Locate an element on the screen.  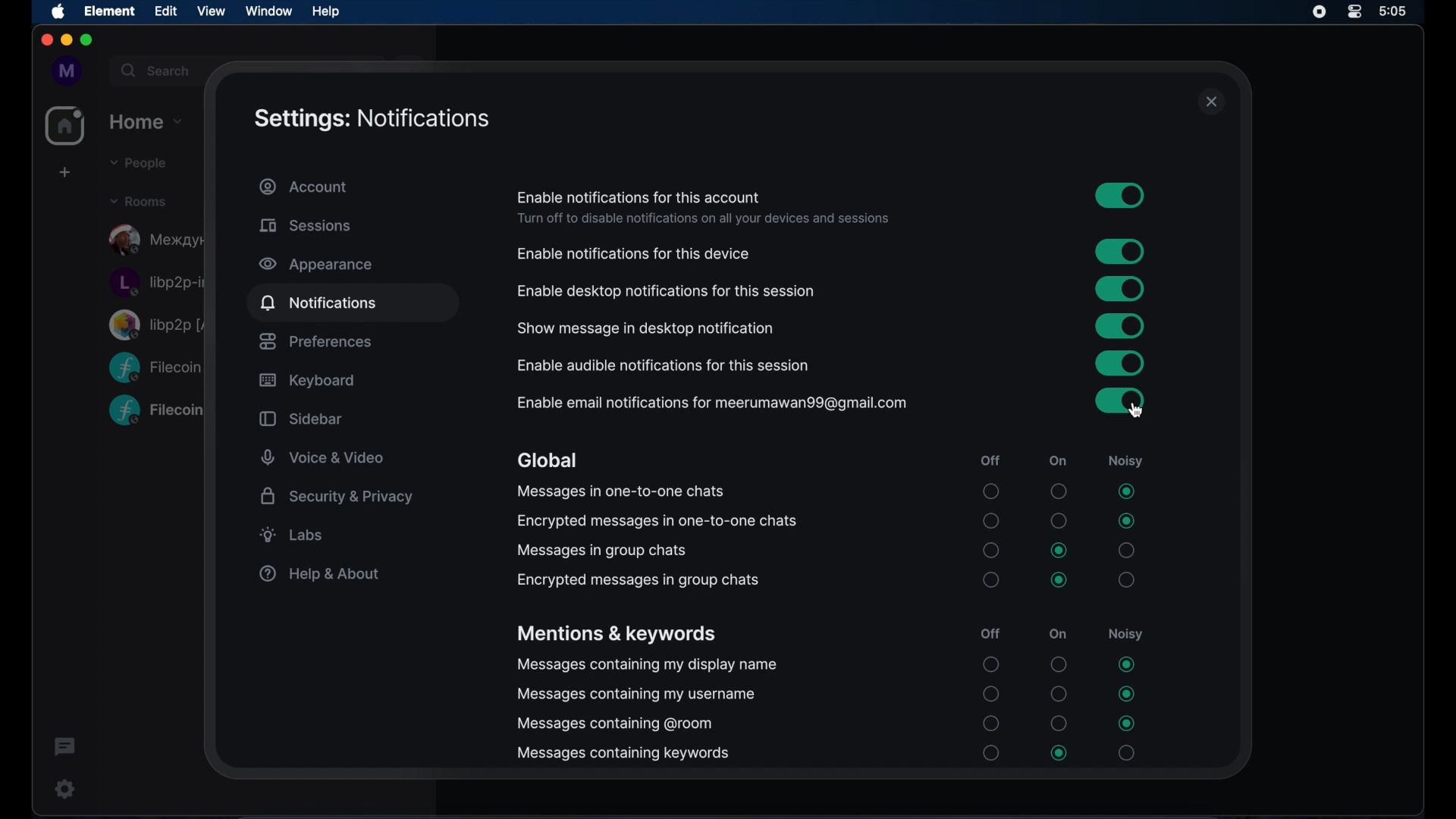
radio button is located at coordinates (991, 579).